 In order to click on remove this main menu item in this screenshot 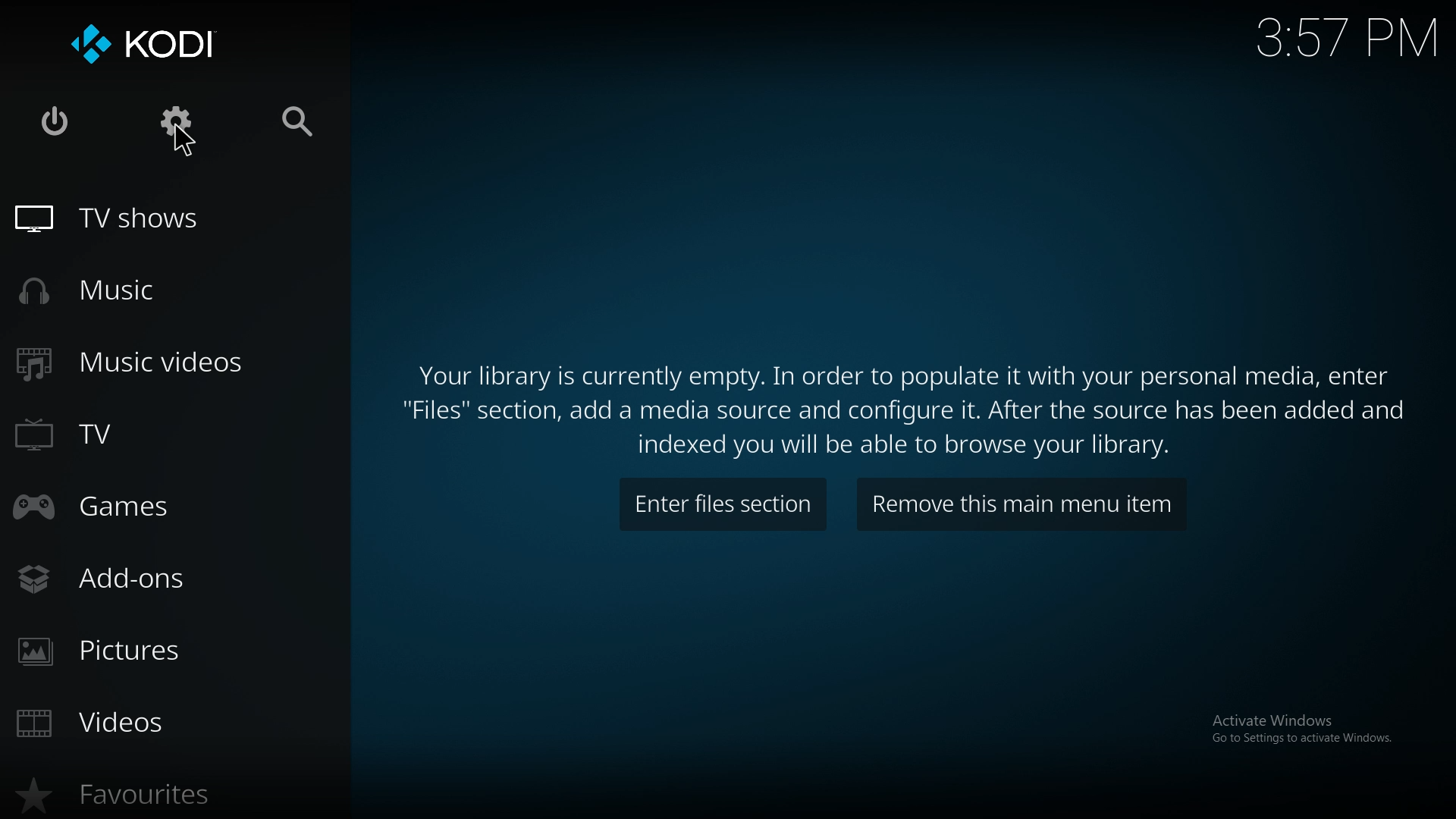, I will do `click(1021, 504)`.